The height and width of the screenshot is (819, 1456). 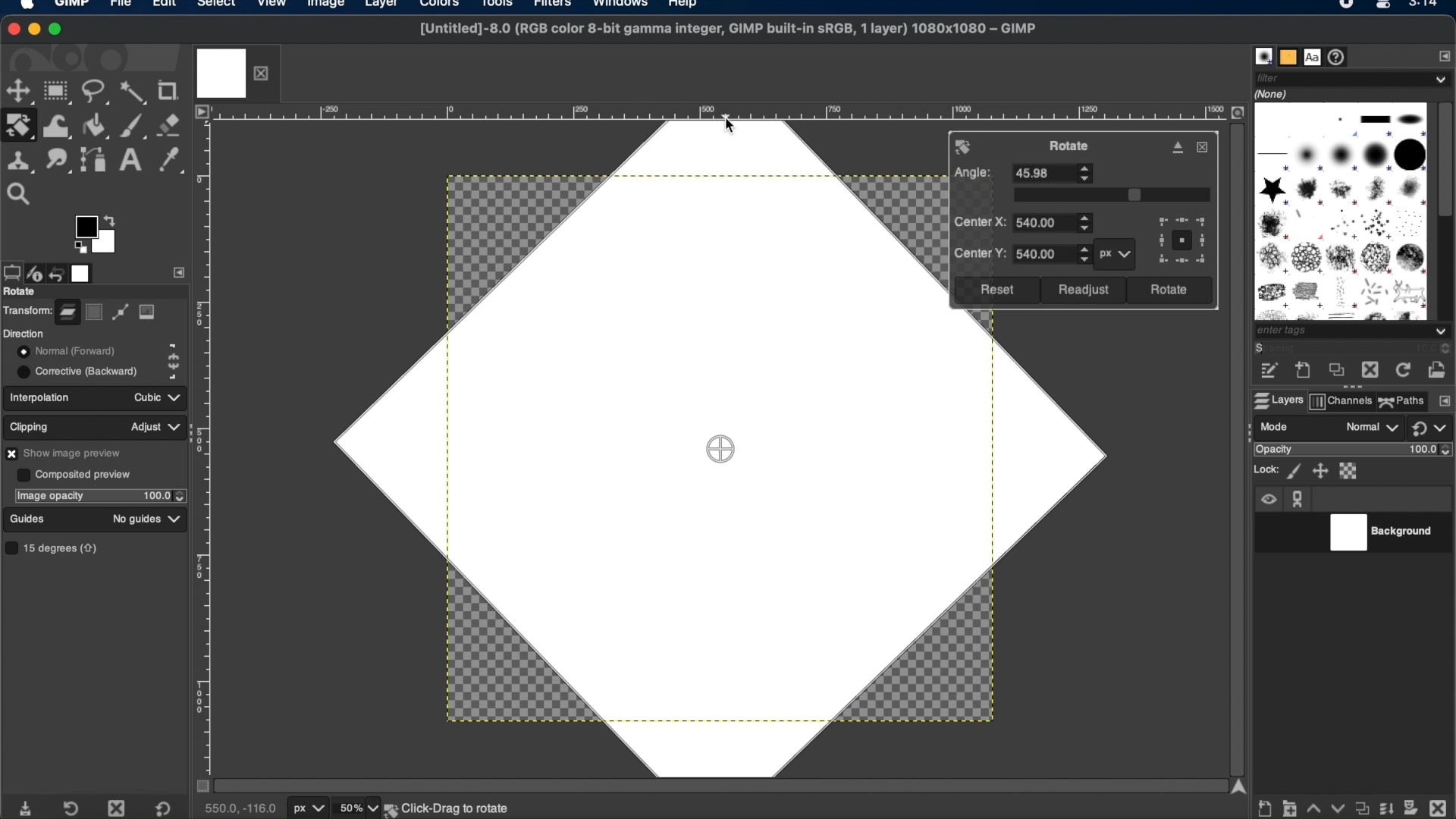 What do you see at coordinates (24, 192) in the screenshot?
I see `zoom tool` at bounding box center [24, 192].